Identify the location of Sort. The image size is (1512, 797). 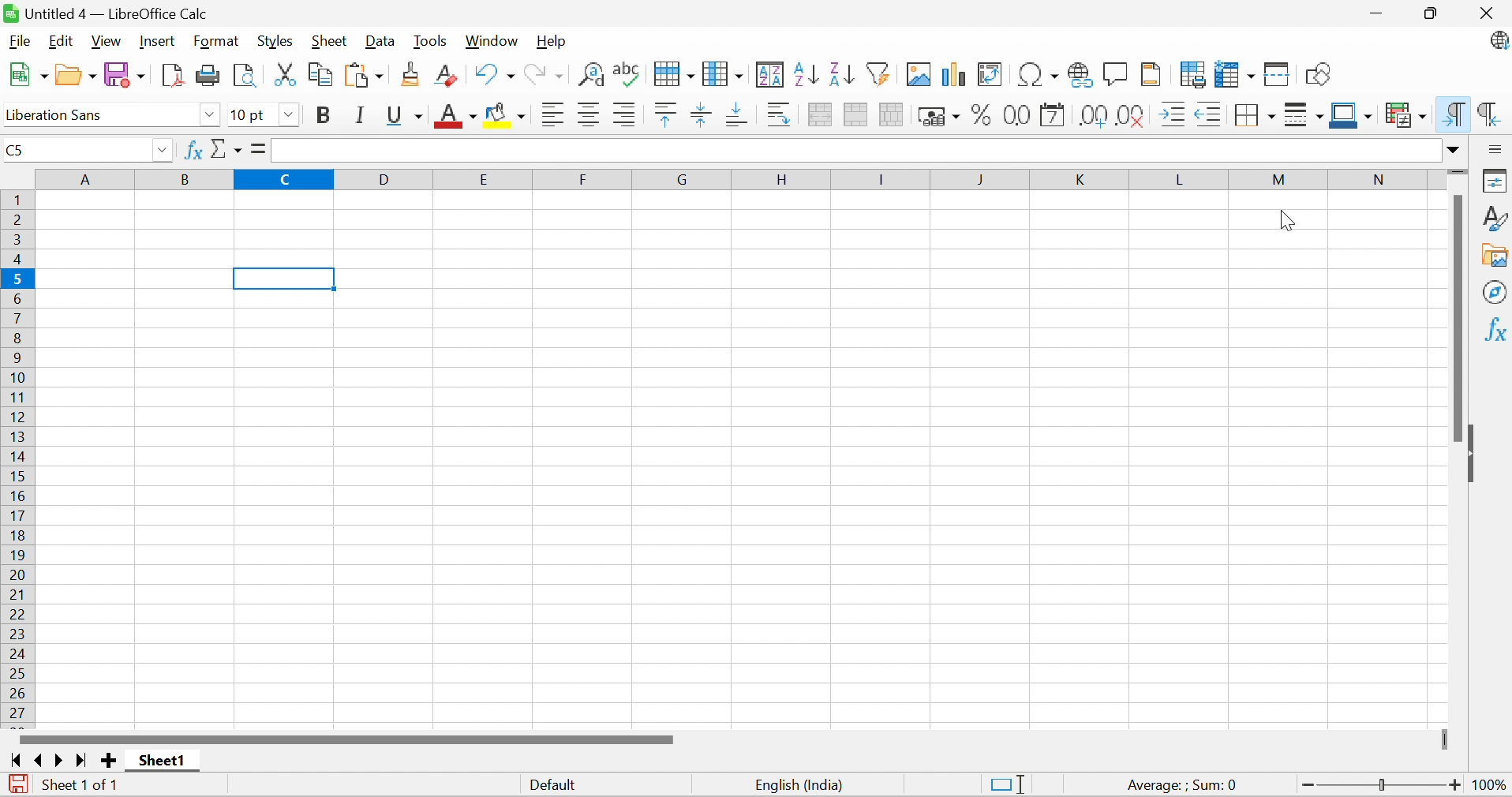
(771, 75).